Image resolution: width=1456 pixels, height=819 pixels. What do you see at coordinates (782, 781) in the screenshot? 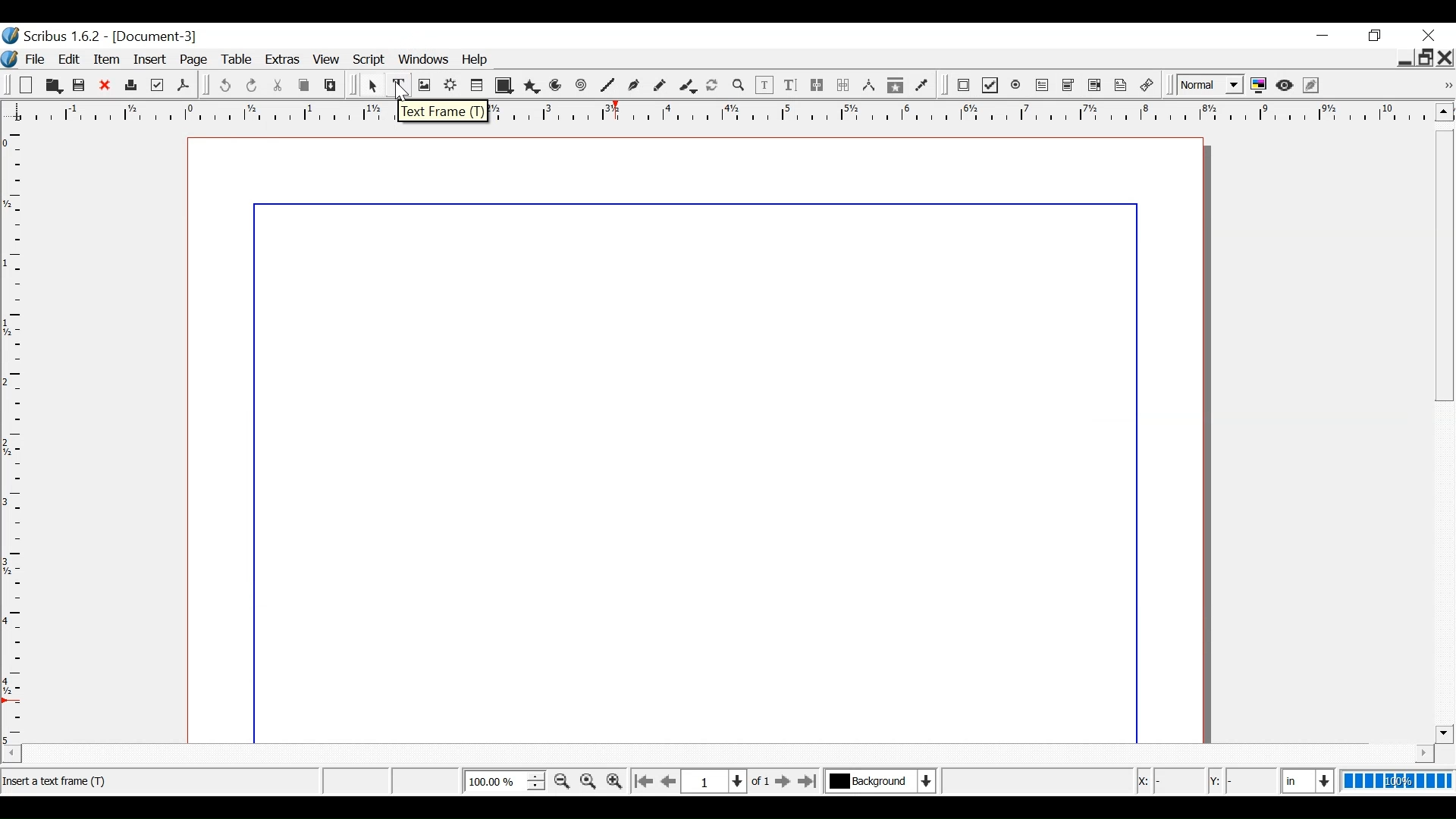
I see `Go to the next page` at bounding box center [782, 781].